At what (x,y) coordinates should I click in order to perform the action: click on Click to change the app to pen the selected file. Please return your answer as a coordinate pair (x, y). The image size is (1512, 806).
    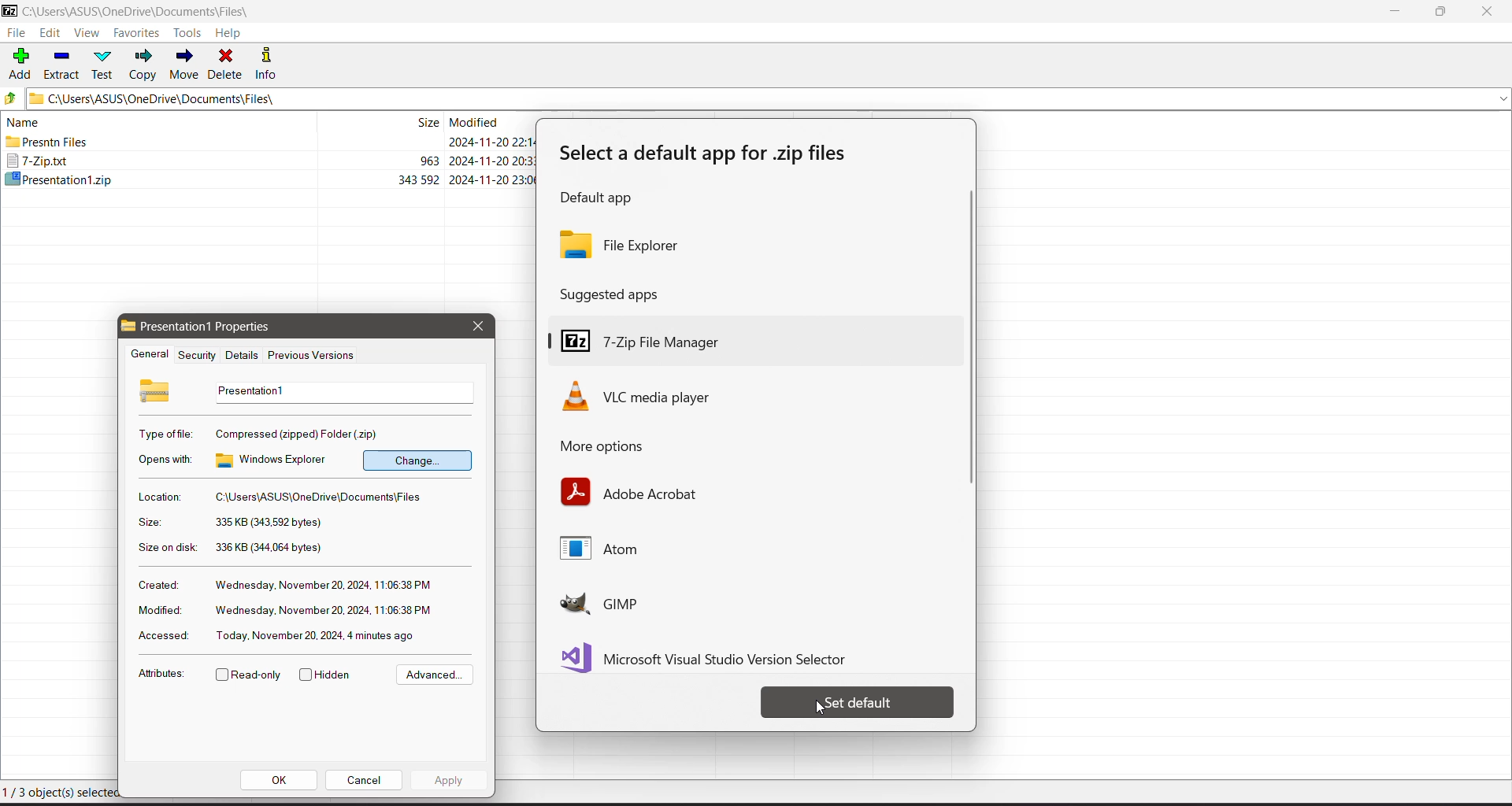
    Looking at the image, I should click on (417, 460).